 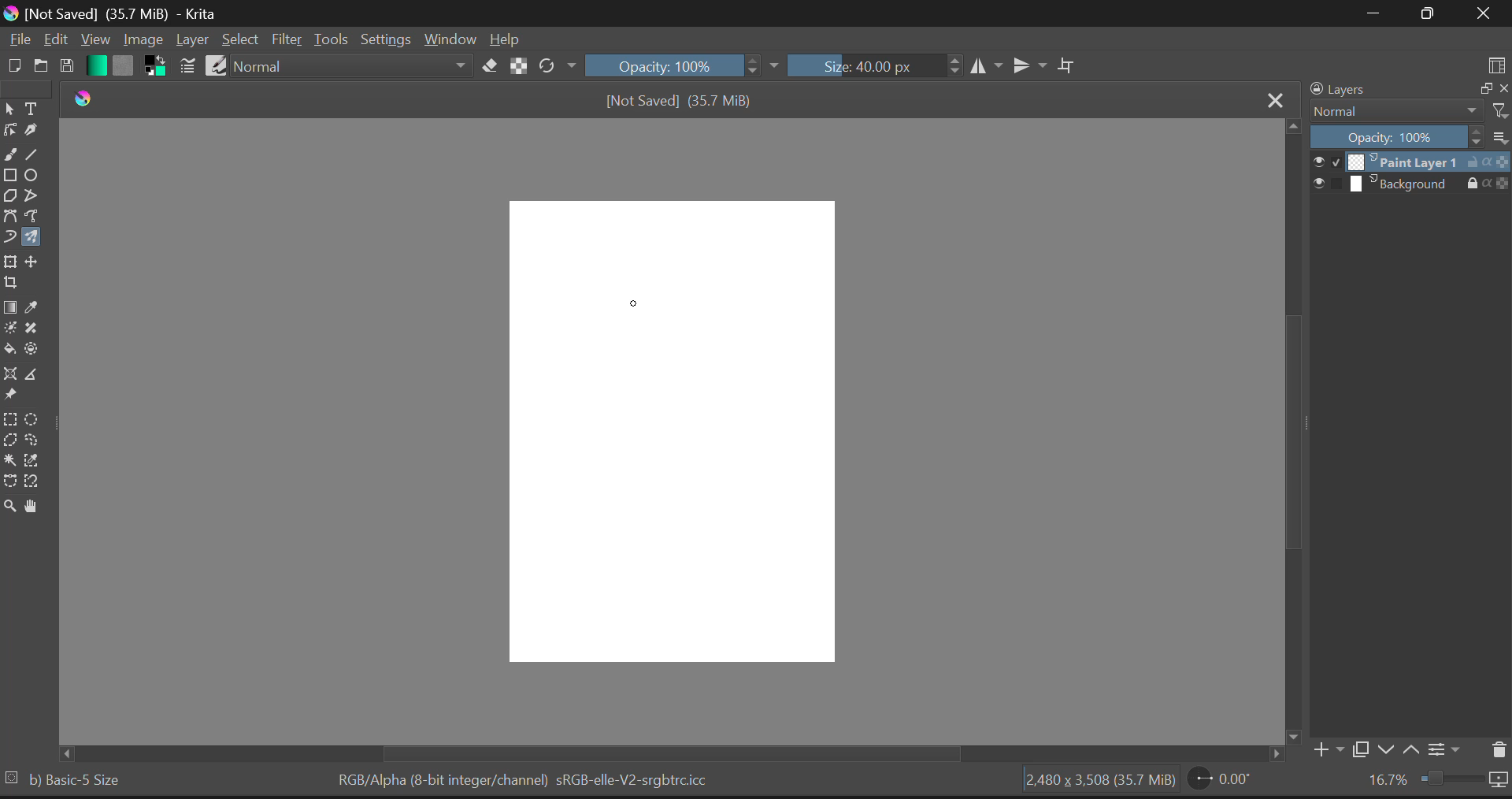 What do you see at coordinates (288, 40) in the screenshot?
I see `Filter` at bounding box center [288, 40].